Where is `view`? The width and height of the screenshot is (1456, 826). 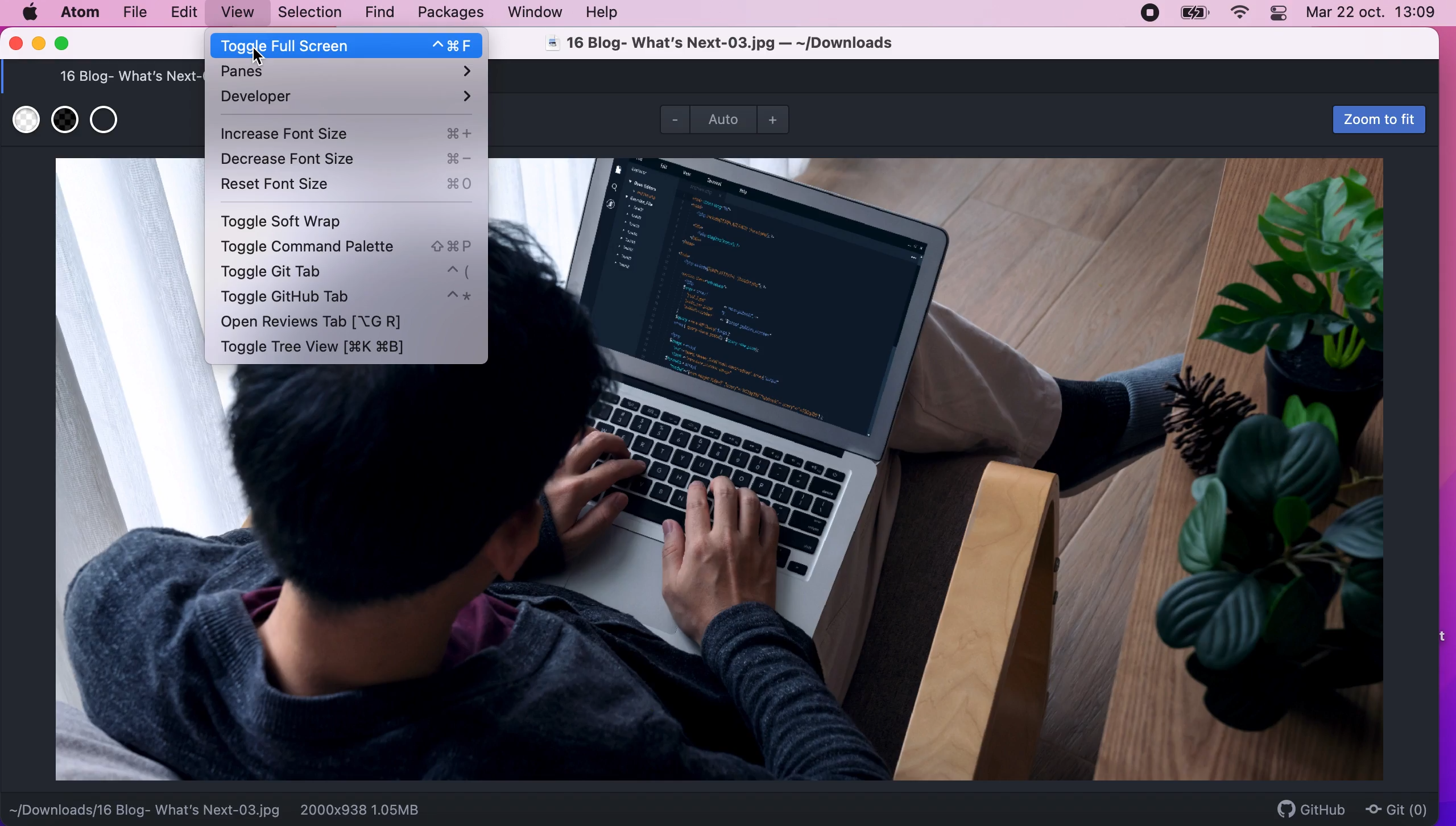
view is located at coordinates (239, 14).